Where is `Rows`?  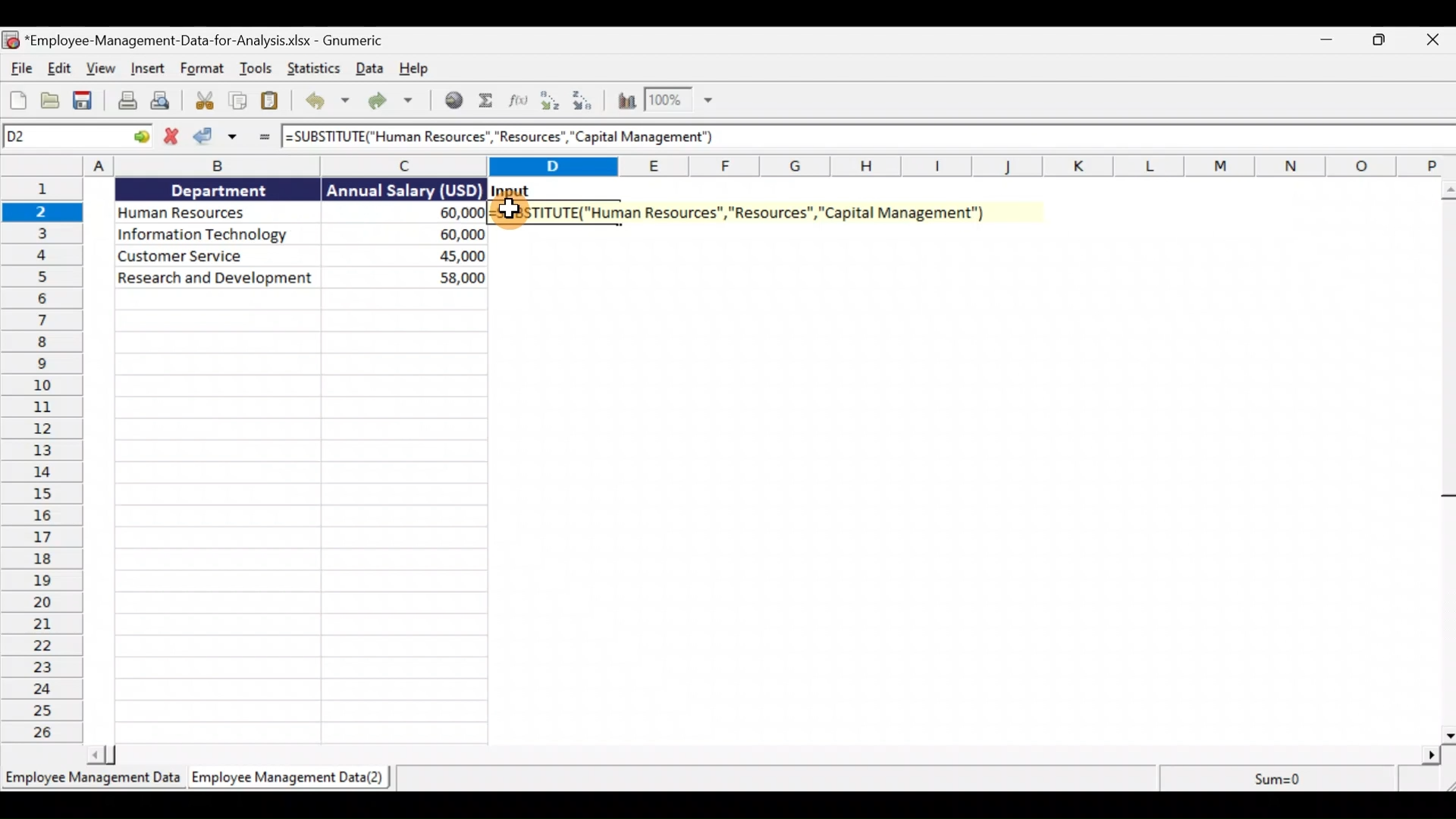
Rows is located at coordinates (49, 461).